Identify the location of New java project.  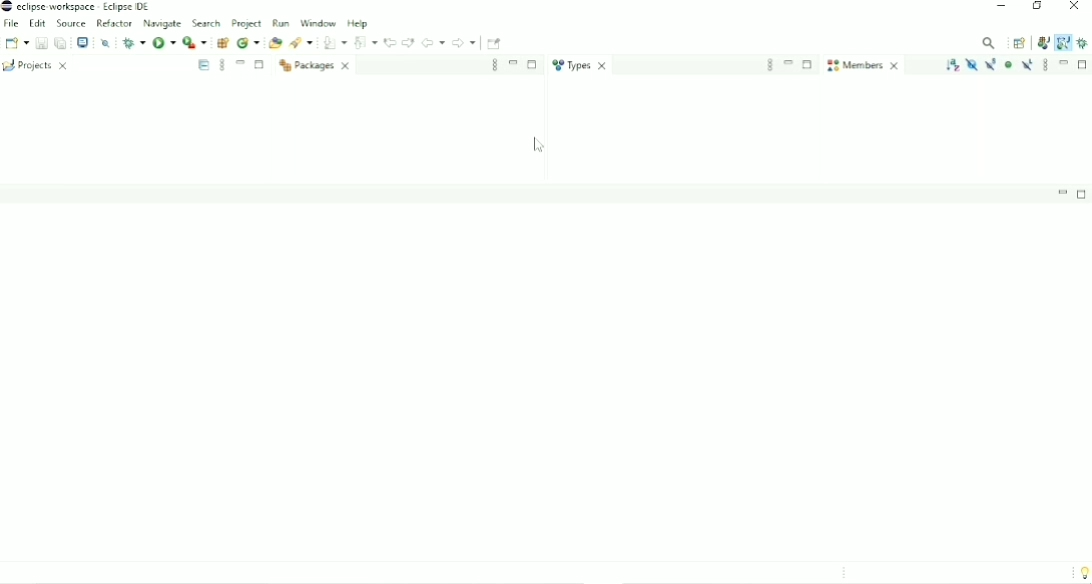
(248, 42).